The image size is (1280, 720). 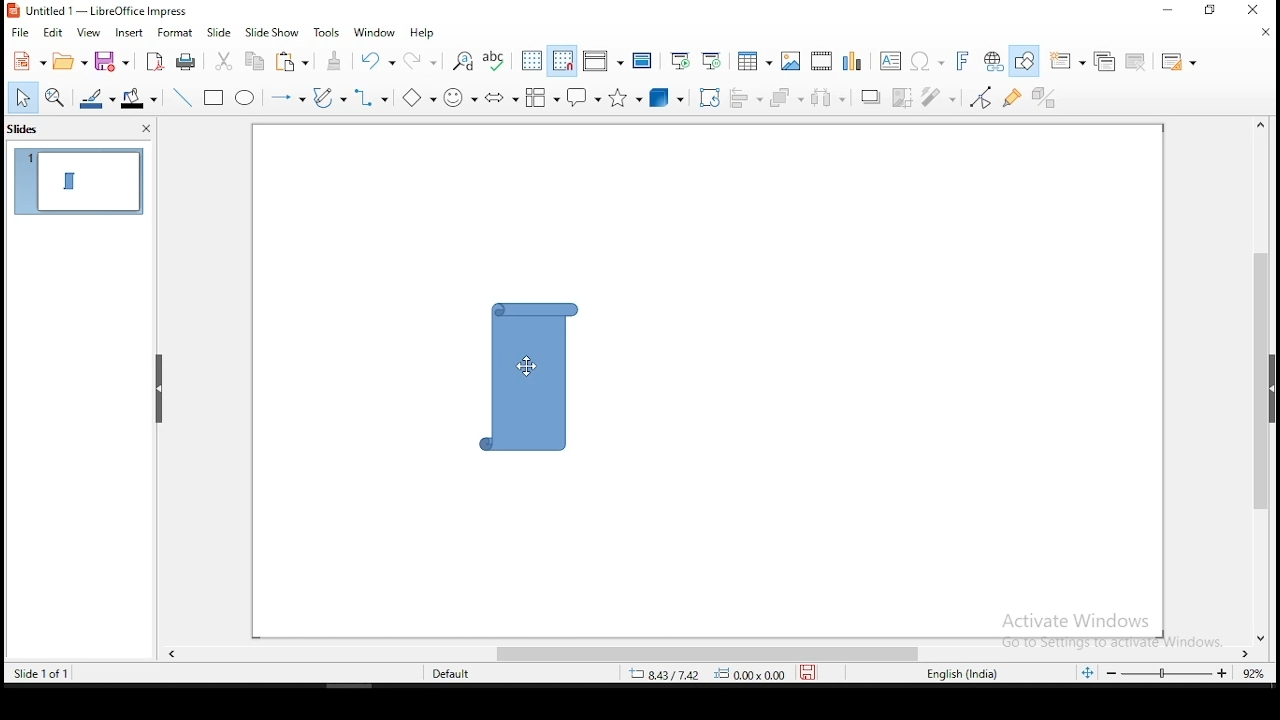 I want to click on zoom slider, so click(x=1169, y=676).